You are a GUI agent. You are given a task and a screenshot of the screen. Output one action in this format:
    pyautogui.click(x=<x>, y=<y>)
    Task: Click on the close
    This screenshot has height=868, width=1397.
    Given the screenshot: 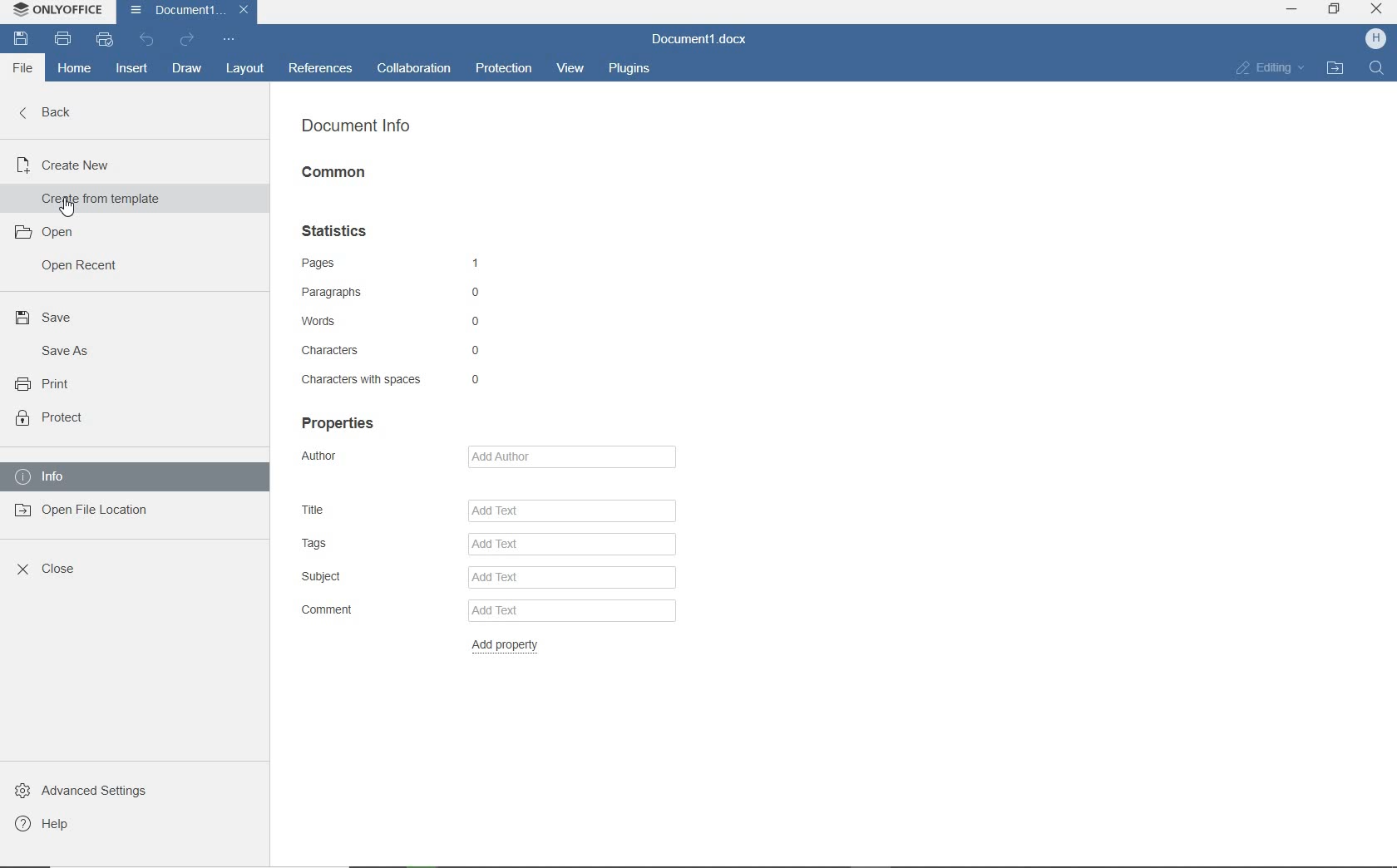 What is the action you would take?
    pyautogui.click(x=1376, y=11)
    